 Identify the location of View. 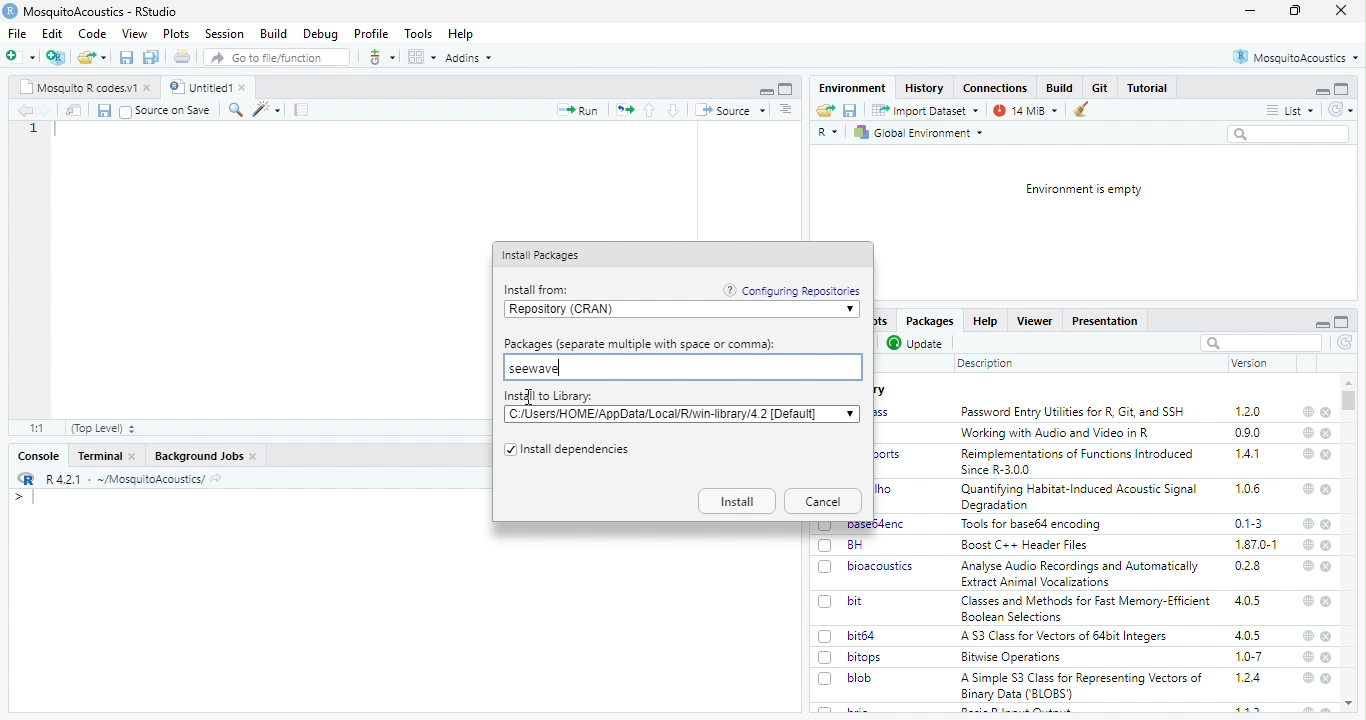
(136, 34).